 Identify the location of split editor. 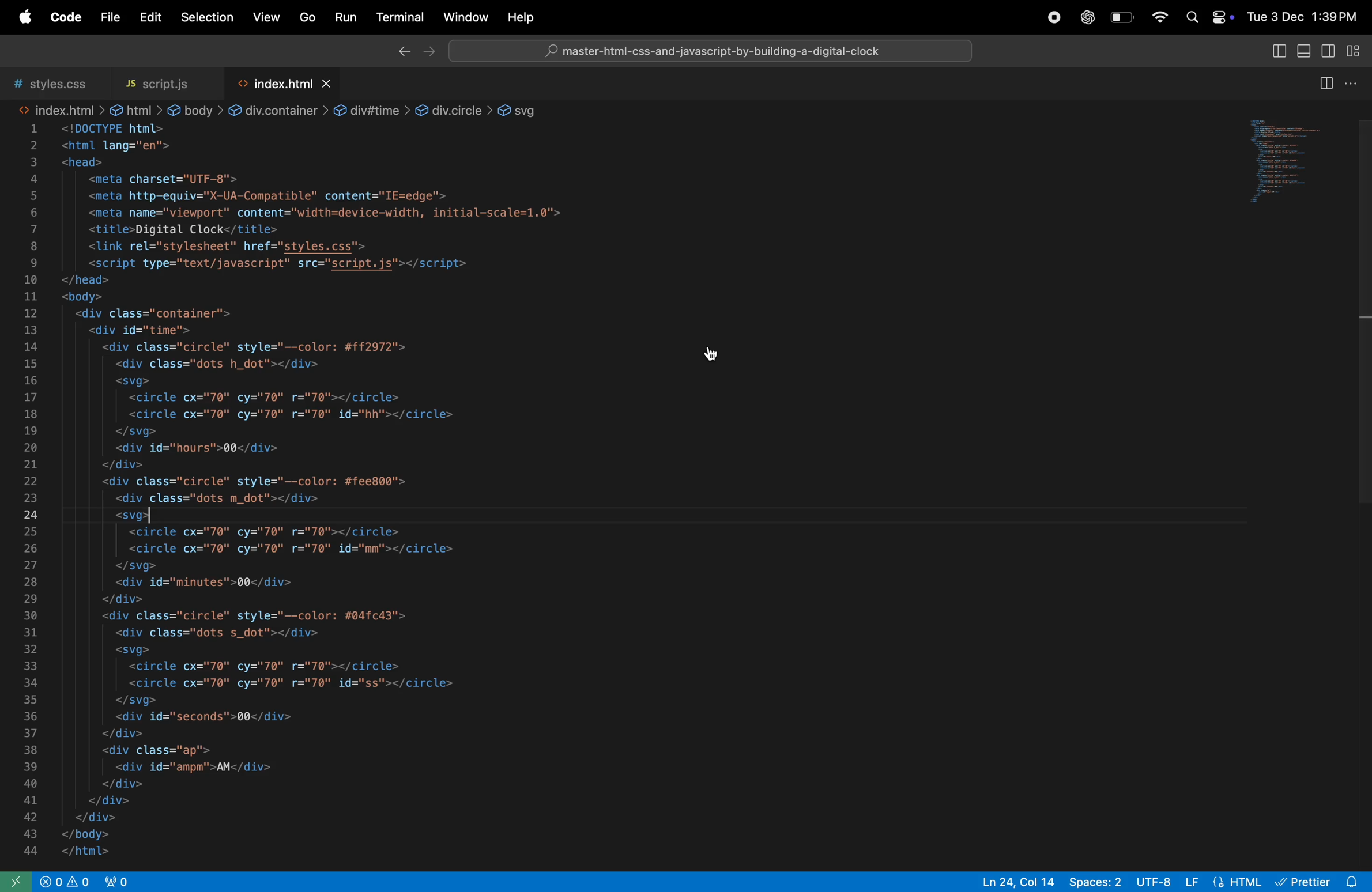
(1325, 83).